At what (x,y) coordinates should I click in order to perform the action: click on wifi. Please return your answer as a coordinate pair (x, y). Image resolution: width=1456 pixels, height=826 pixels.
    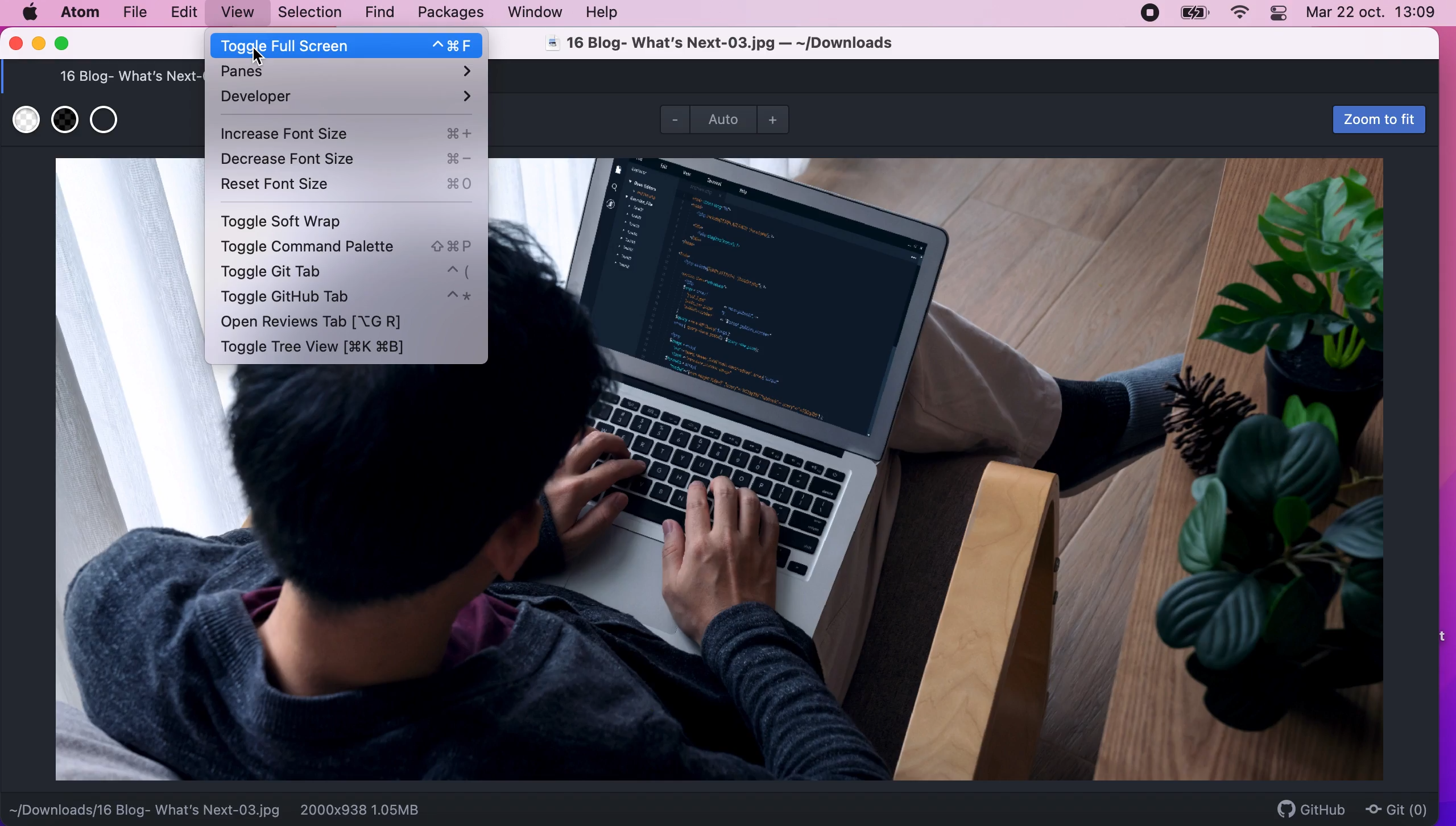
    Looking at the image, I should click on (1239, 14).